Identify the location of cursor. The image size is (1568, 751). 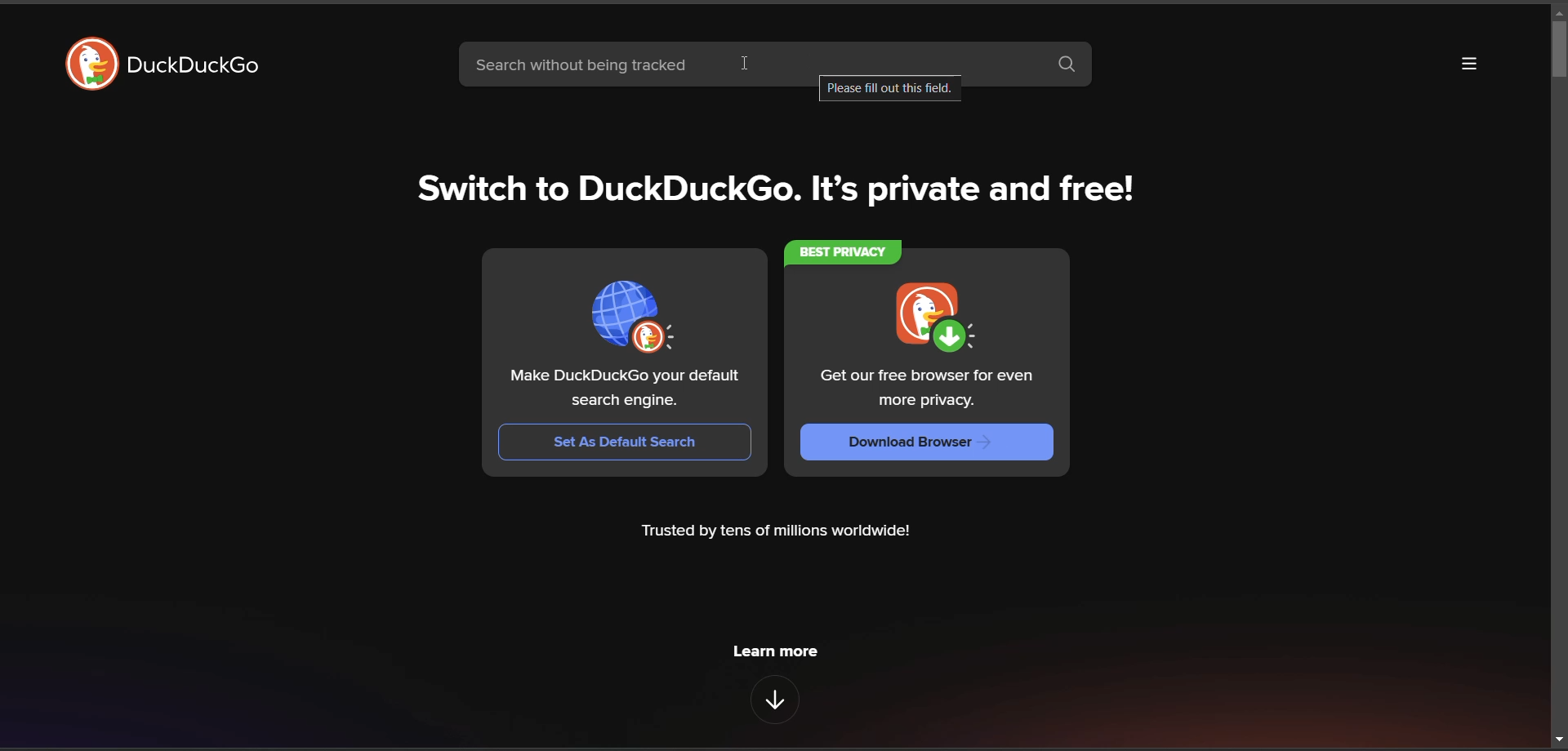
(745, 67).